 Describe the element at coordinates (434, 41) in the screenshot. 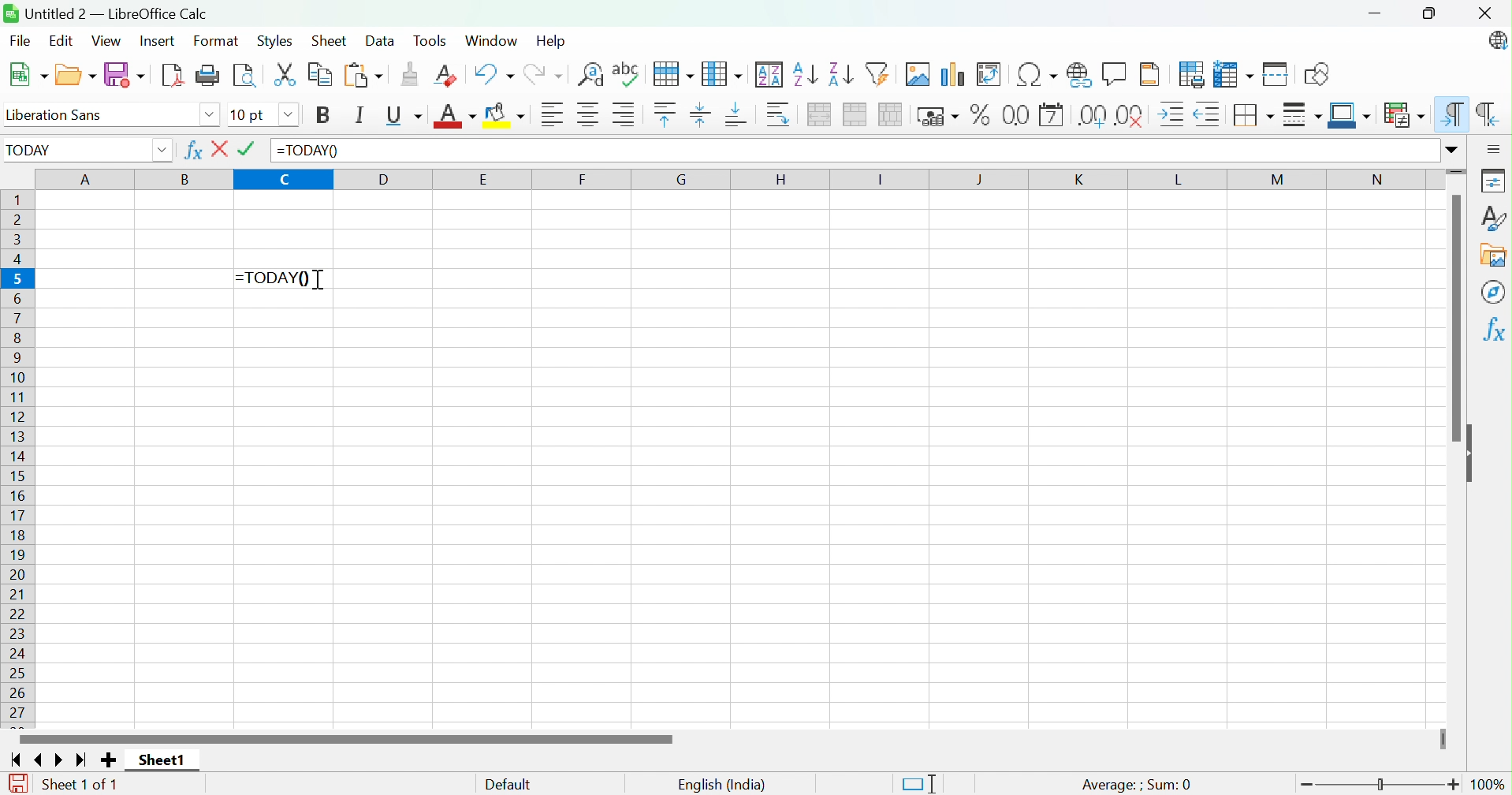

I see `Tools` at that location.